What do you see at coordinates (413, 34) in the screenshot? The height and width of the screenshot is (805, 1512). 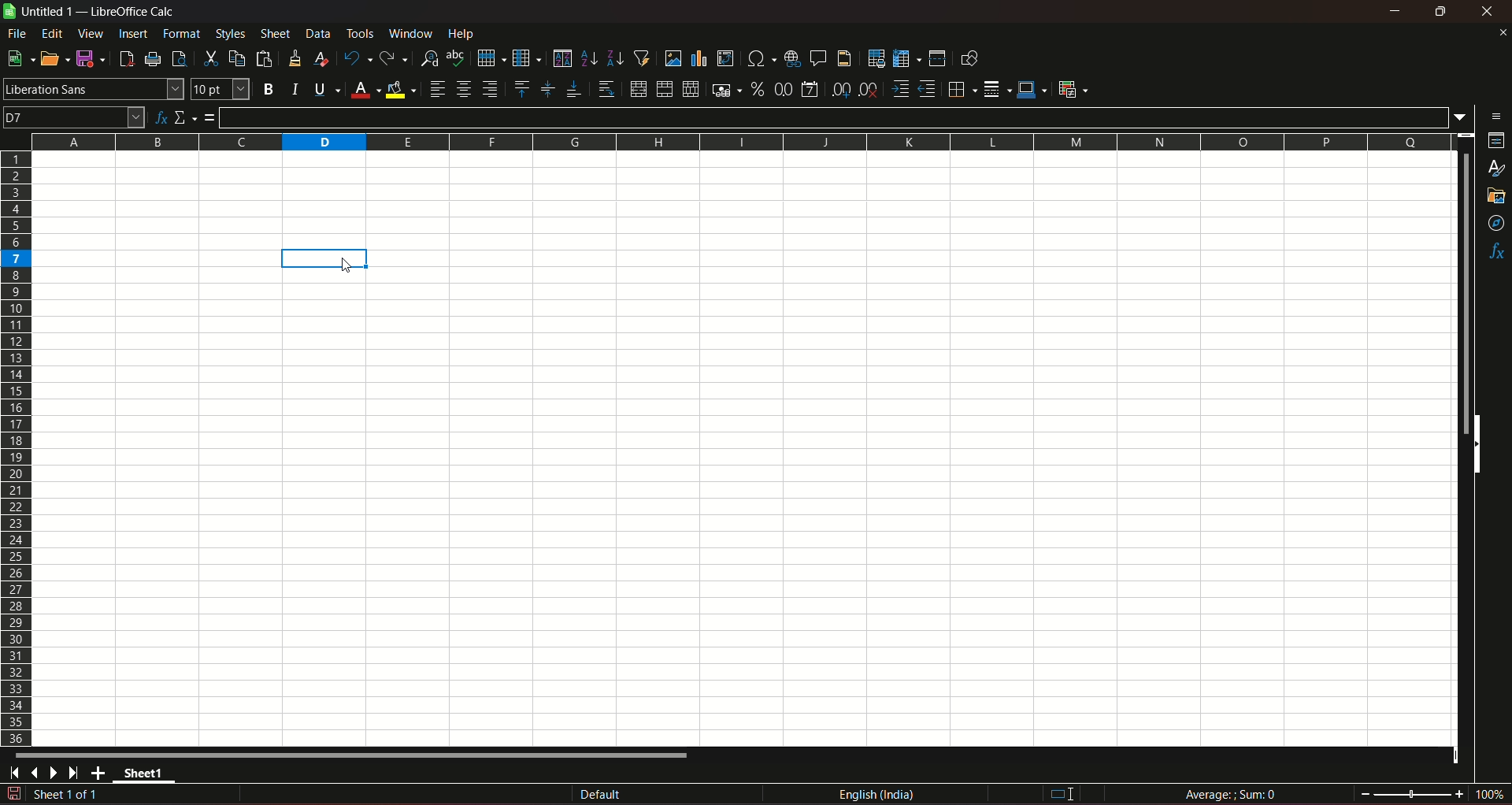 I see `window` at bounding box center [413, 34].